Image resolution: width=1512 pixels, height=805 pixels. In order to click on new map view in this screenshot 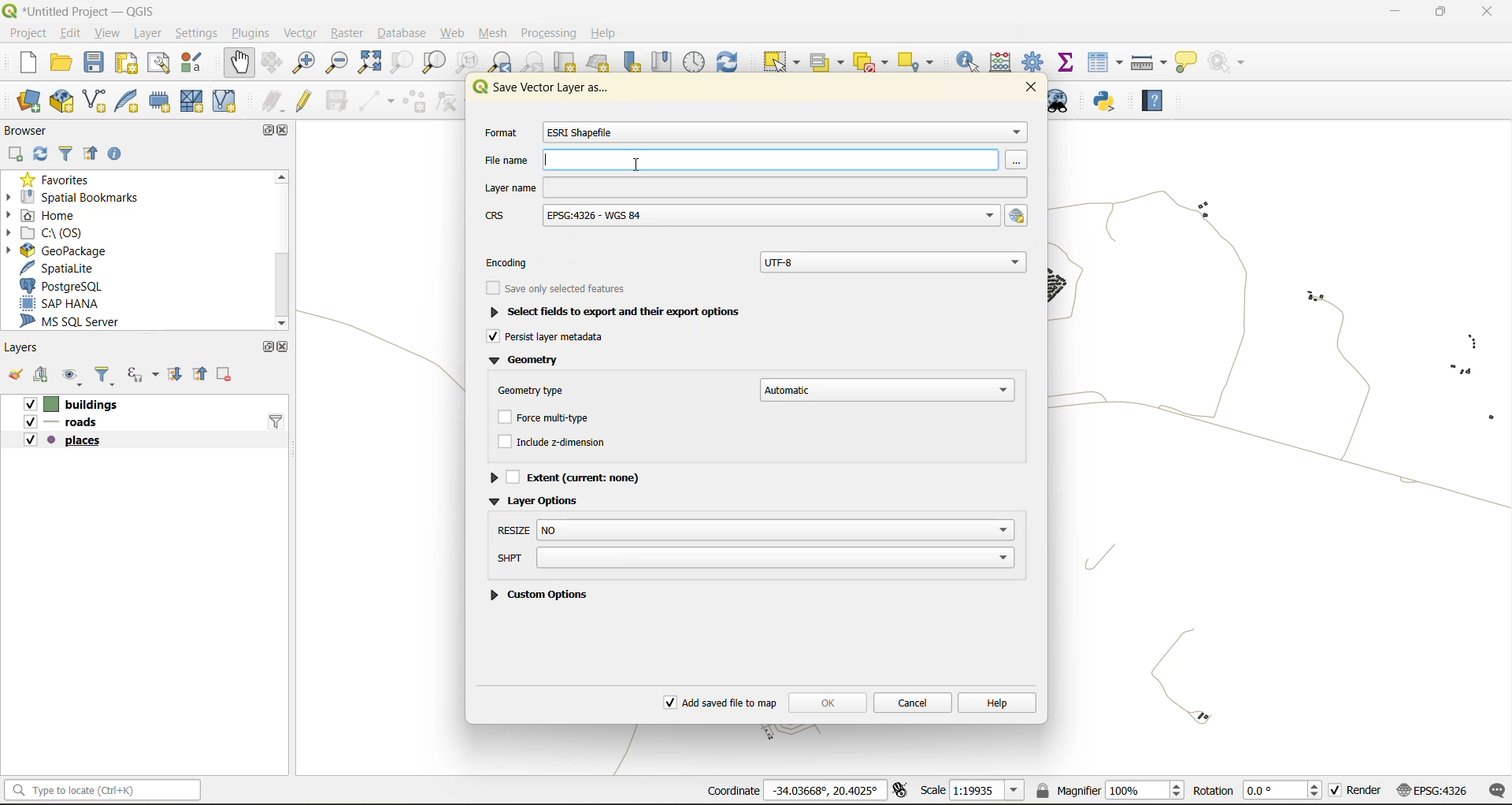, I will do `click(566, 63)`.